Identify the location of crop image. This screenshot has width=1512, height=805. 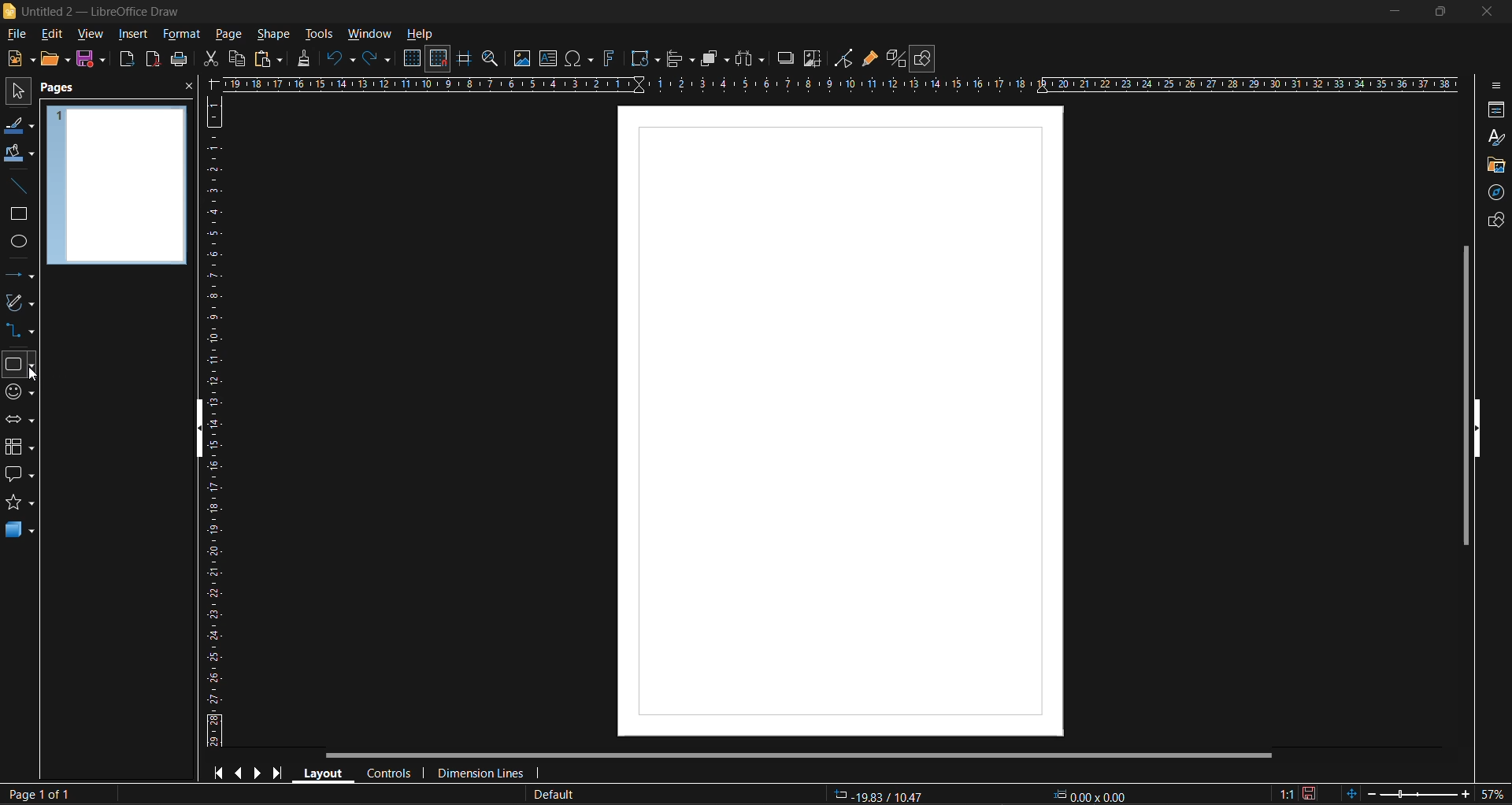
(813, 59).